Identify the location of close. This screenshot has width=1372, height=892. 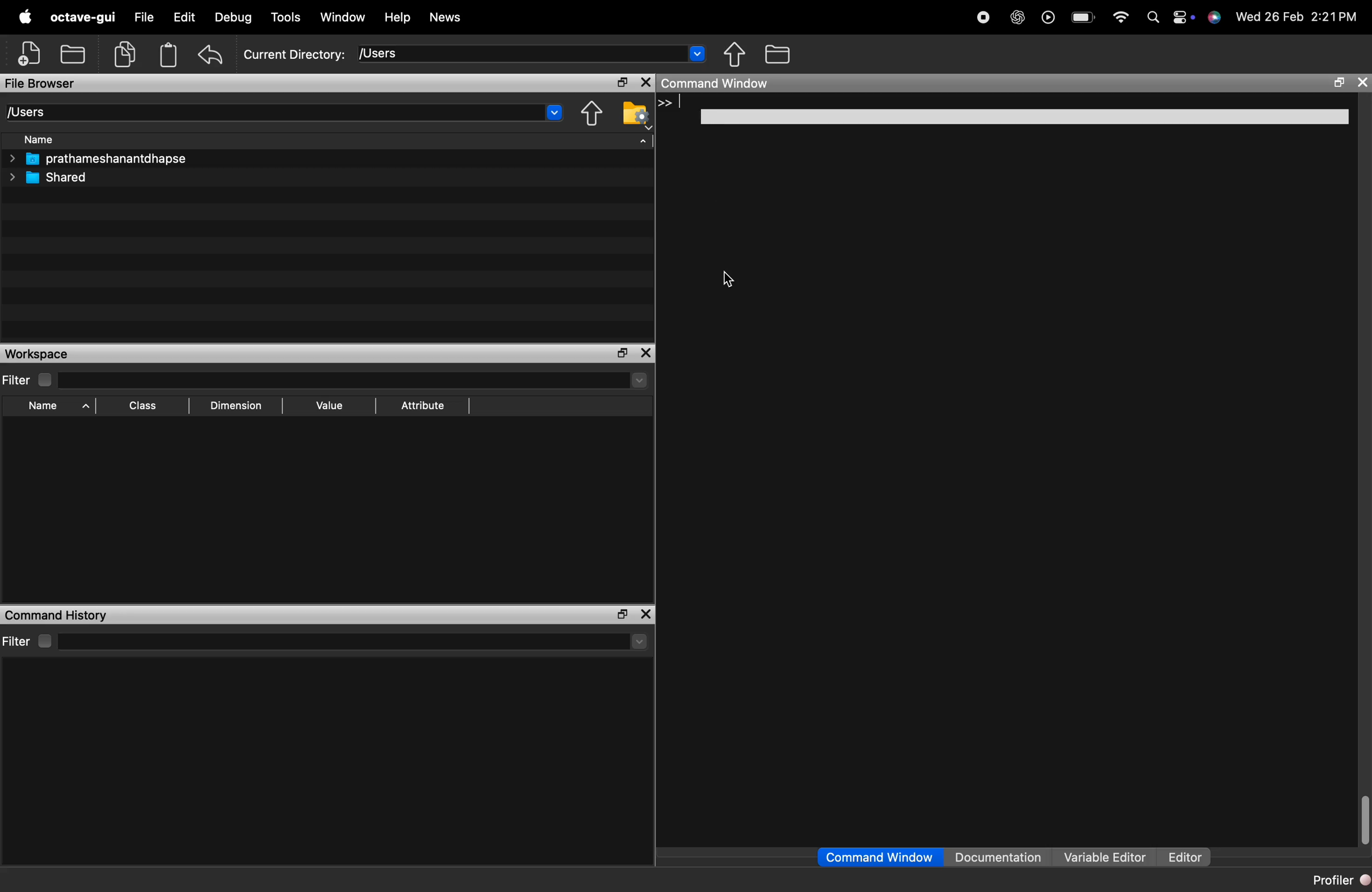
(646, 614).